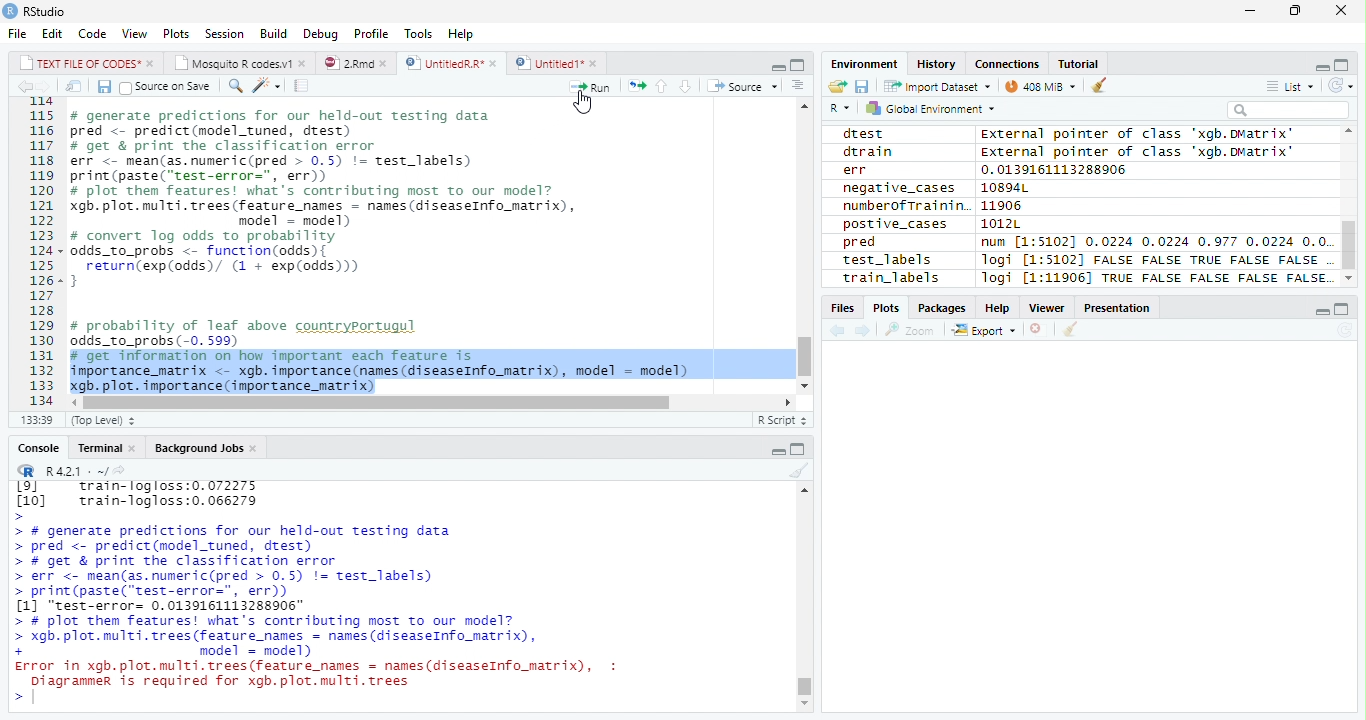 The width and height of the screenshot is (1366, 720). I want to click on  Untitled1* , so click(557, 62).